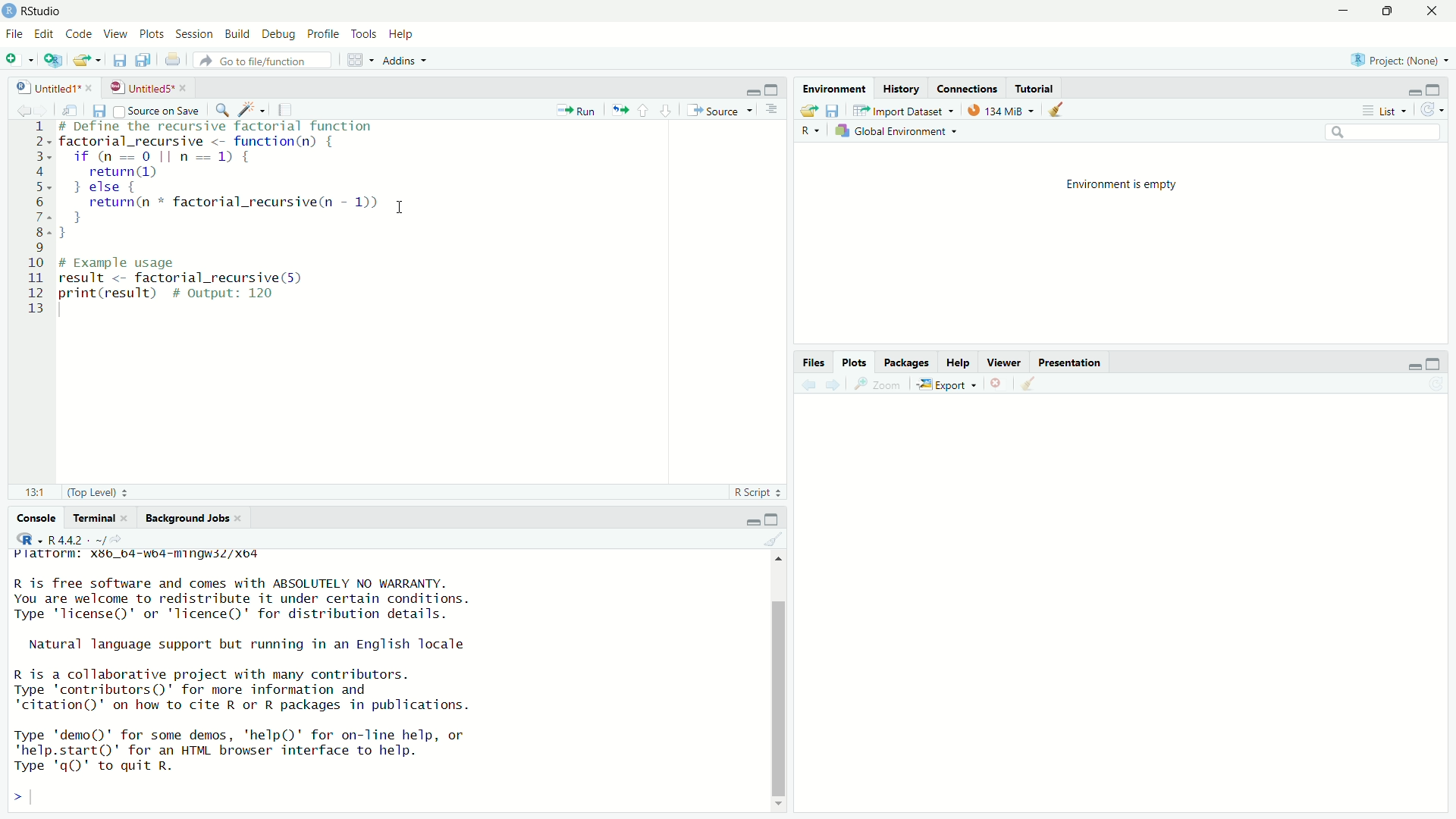 The height and width of the screenshot is (819, 1456). Describe the element at coordinates (1341, 11) in the screenshot. I see `Minimize` at that location.